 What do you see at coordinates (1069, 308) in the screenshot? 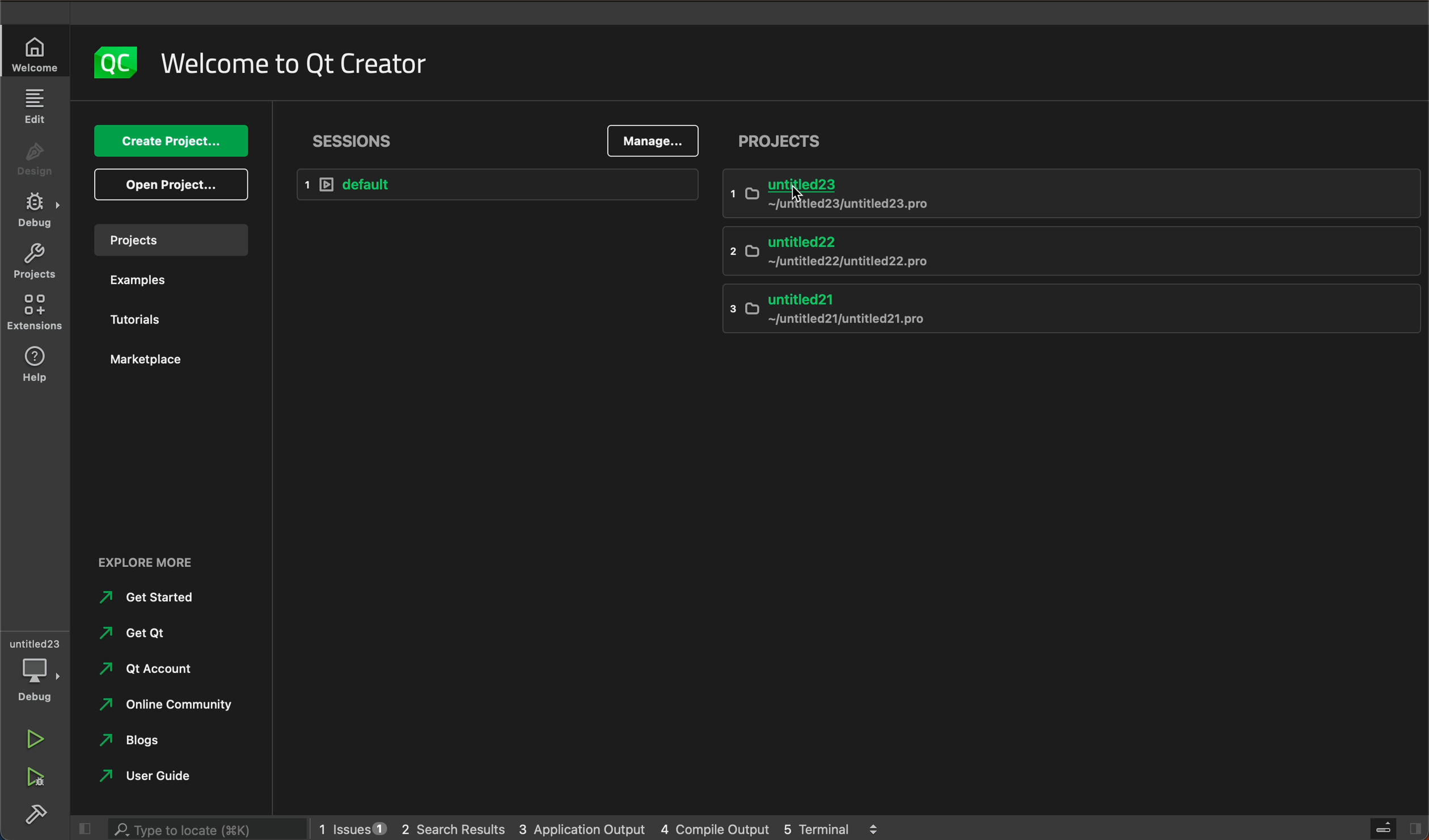
I see `untitled` at bounding box center [1069, 308].